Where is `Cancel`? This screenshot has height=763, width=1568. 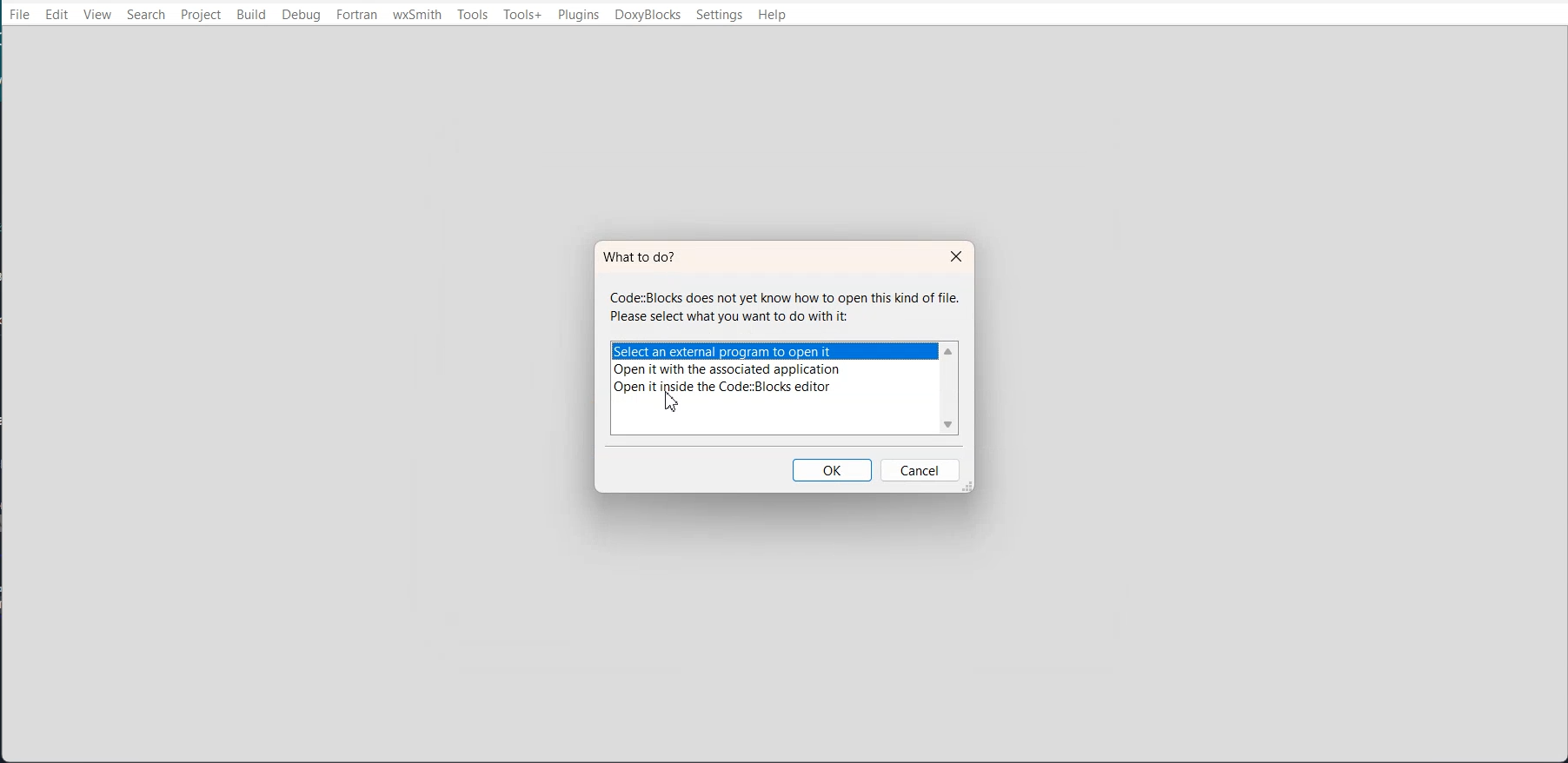
Cancel is located at coordinates (923, 470).